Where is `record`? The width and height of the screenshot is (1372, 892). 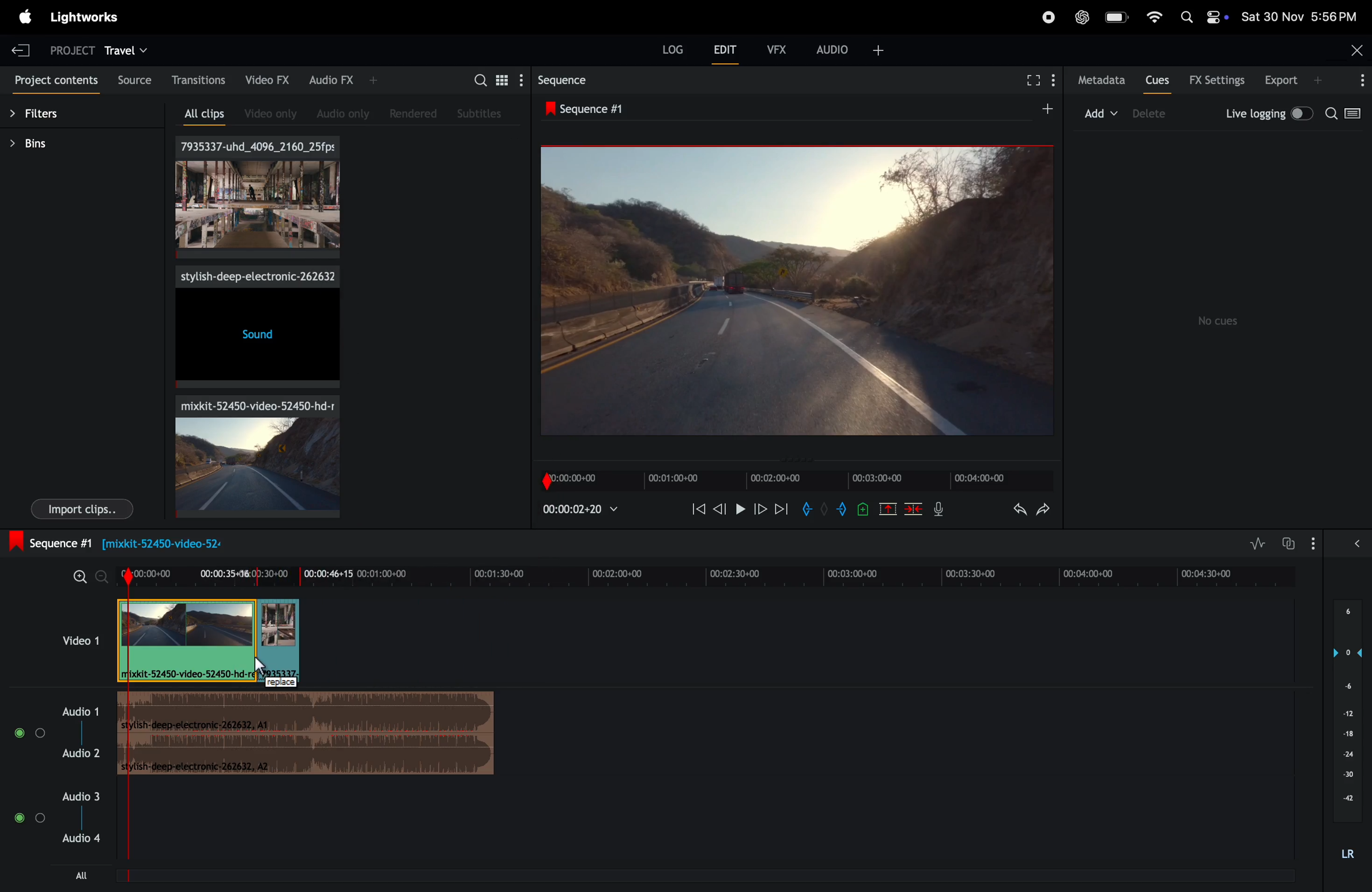
record is located at coordinates (1042, 16).